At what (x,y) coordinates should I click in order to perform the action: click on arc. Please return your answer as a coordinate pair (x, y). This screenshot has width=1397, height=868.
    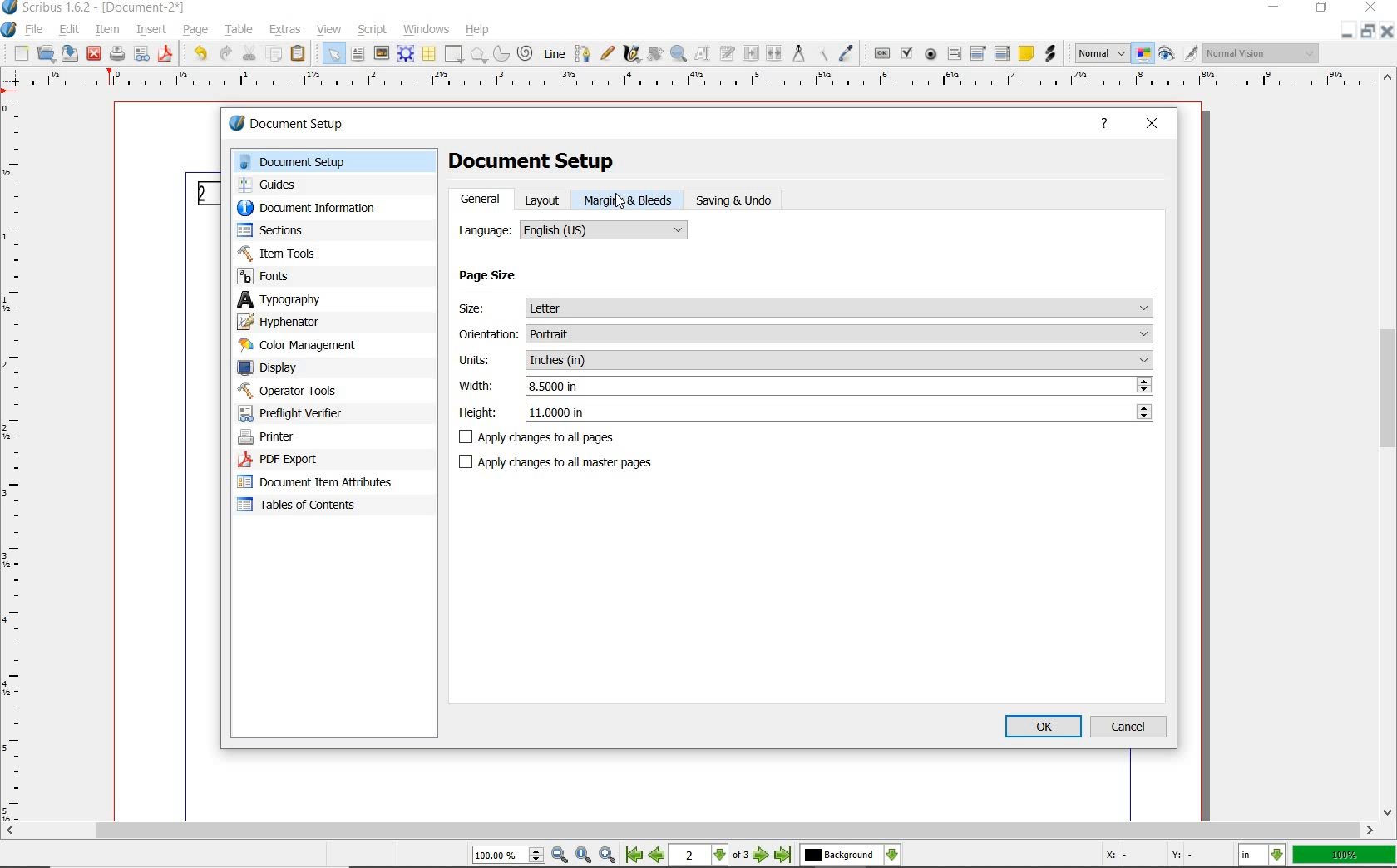
    Looking at the image, I should click on (501, 55).